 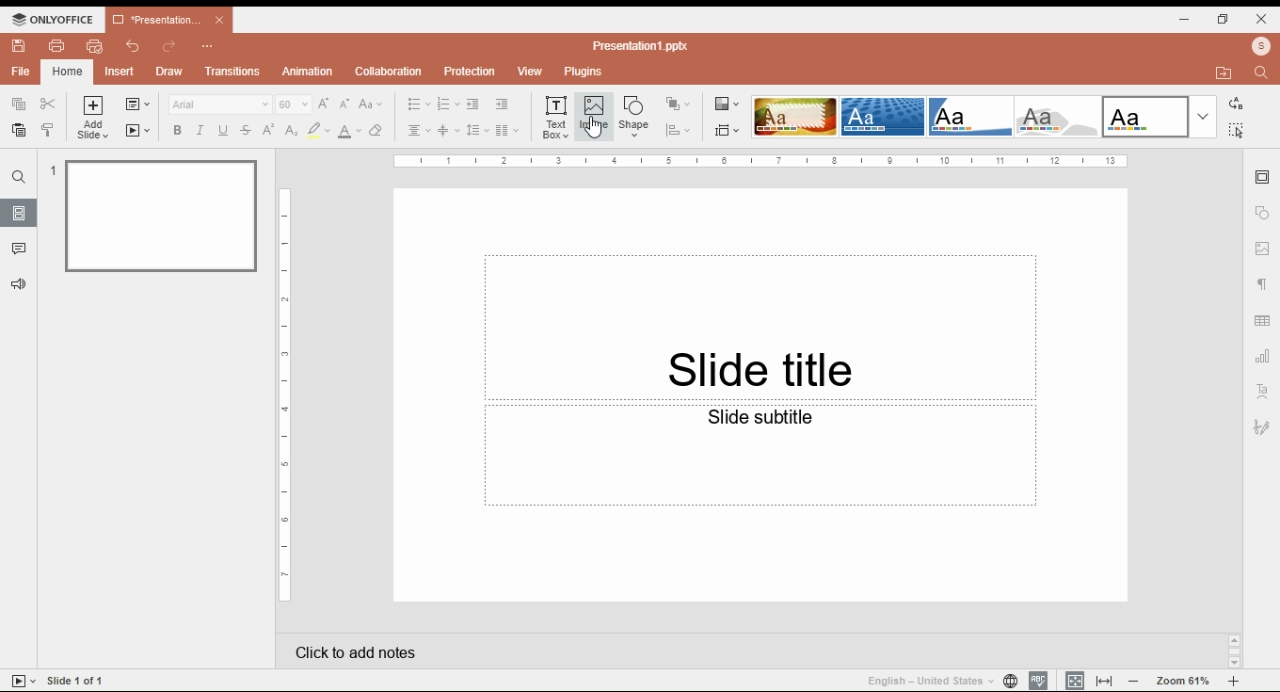 I want to click on text art  settings, so click(x=1262, y=390).